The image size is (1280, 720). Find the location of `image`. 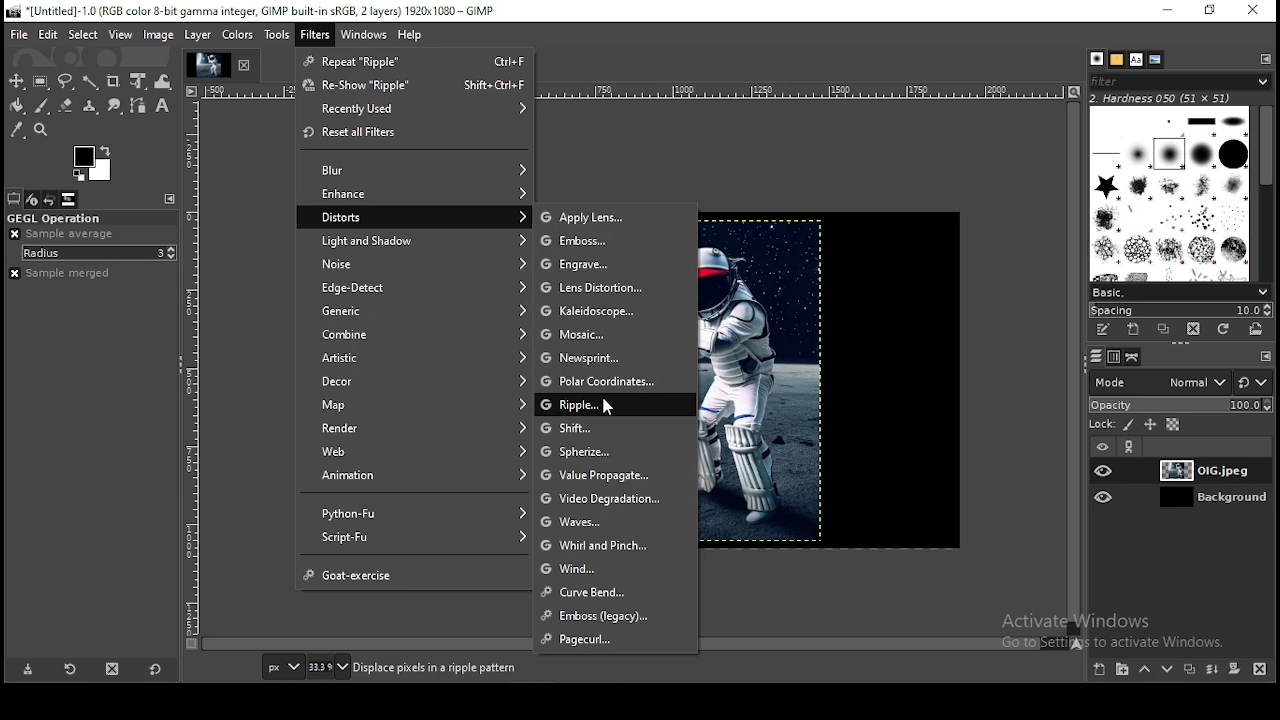

image is located at coordinates (830, 382).